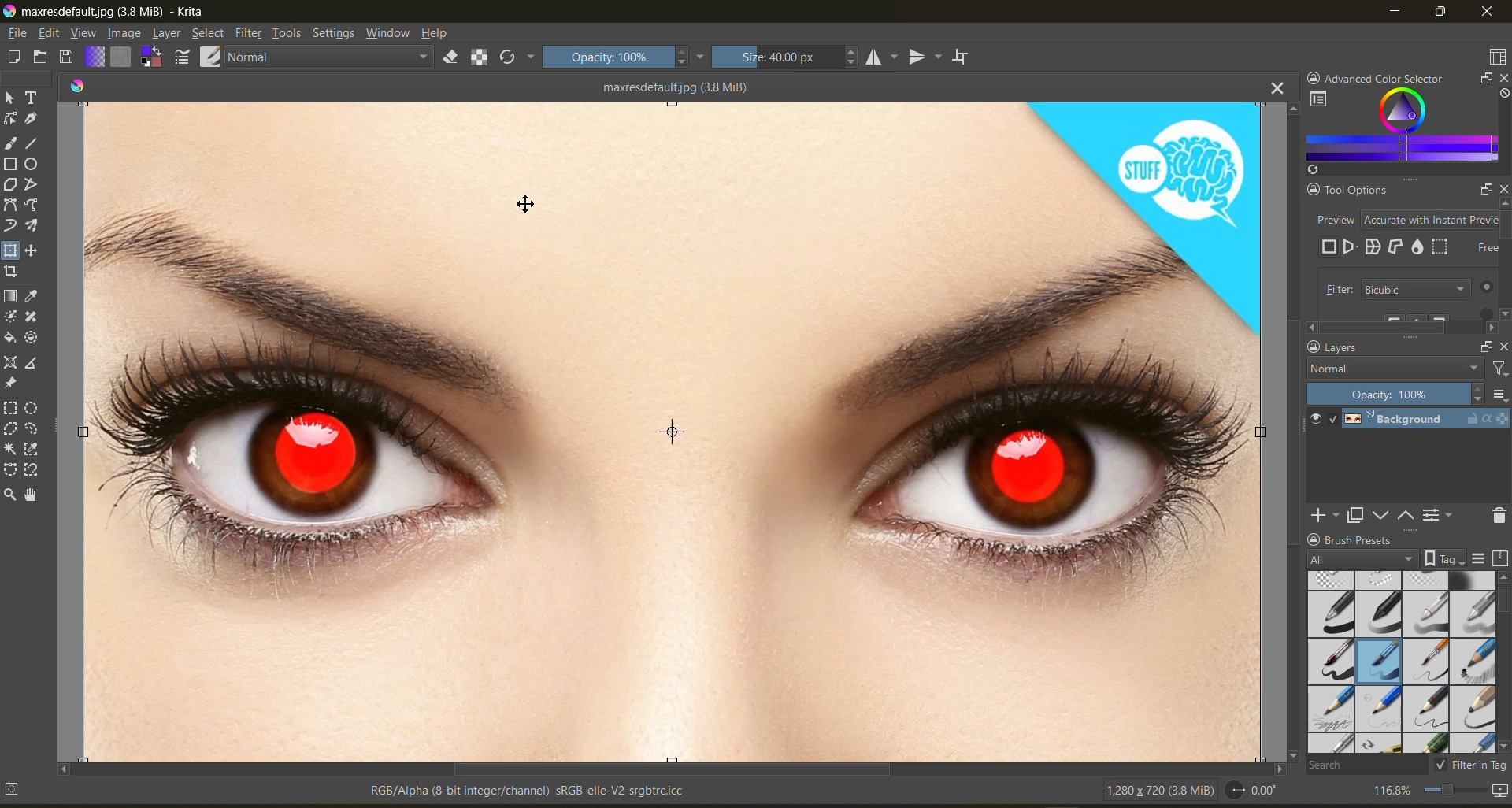  I want to click on tool, so click(9, 496).